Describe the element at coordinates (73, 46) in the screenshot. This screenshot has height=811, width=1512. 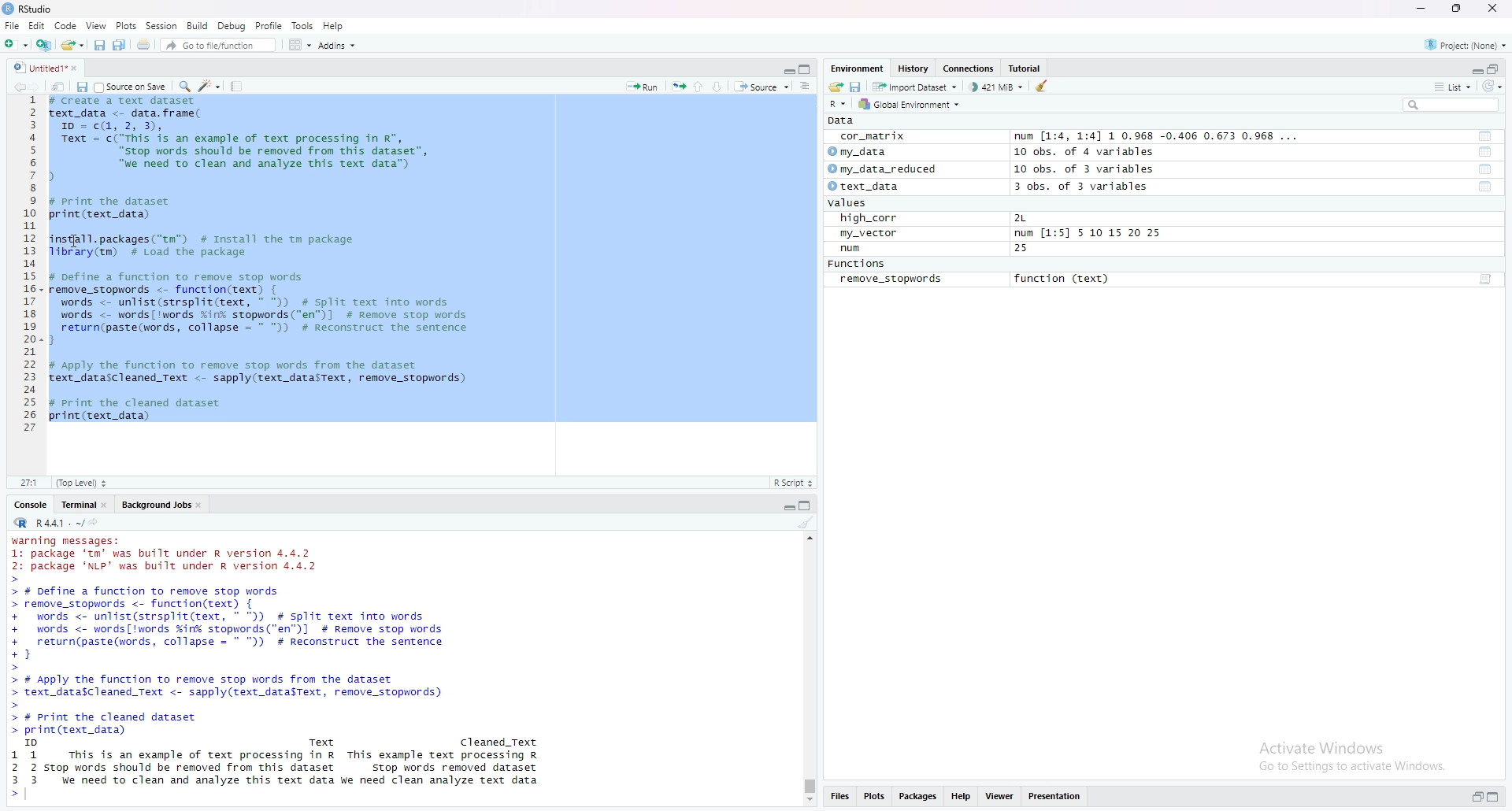
I see `open an existing file` at that location.